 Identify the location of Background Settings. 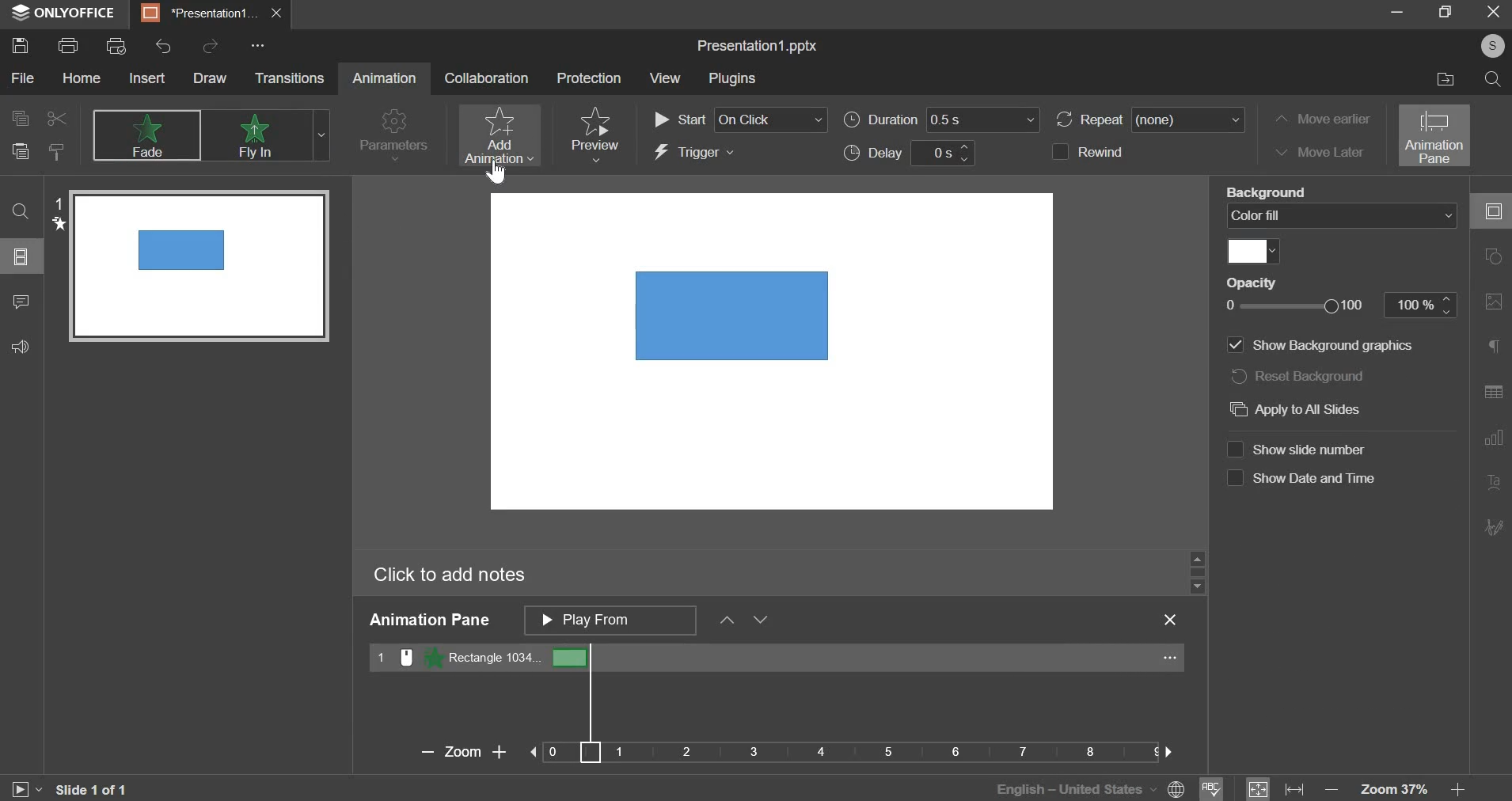
(1493, 301).